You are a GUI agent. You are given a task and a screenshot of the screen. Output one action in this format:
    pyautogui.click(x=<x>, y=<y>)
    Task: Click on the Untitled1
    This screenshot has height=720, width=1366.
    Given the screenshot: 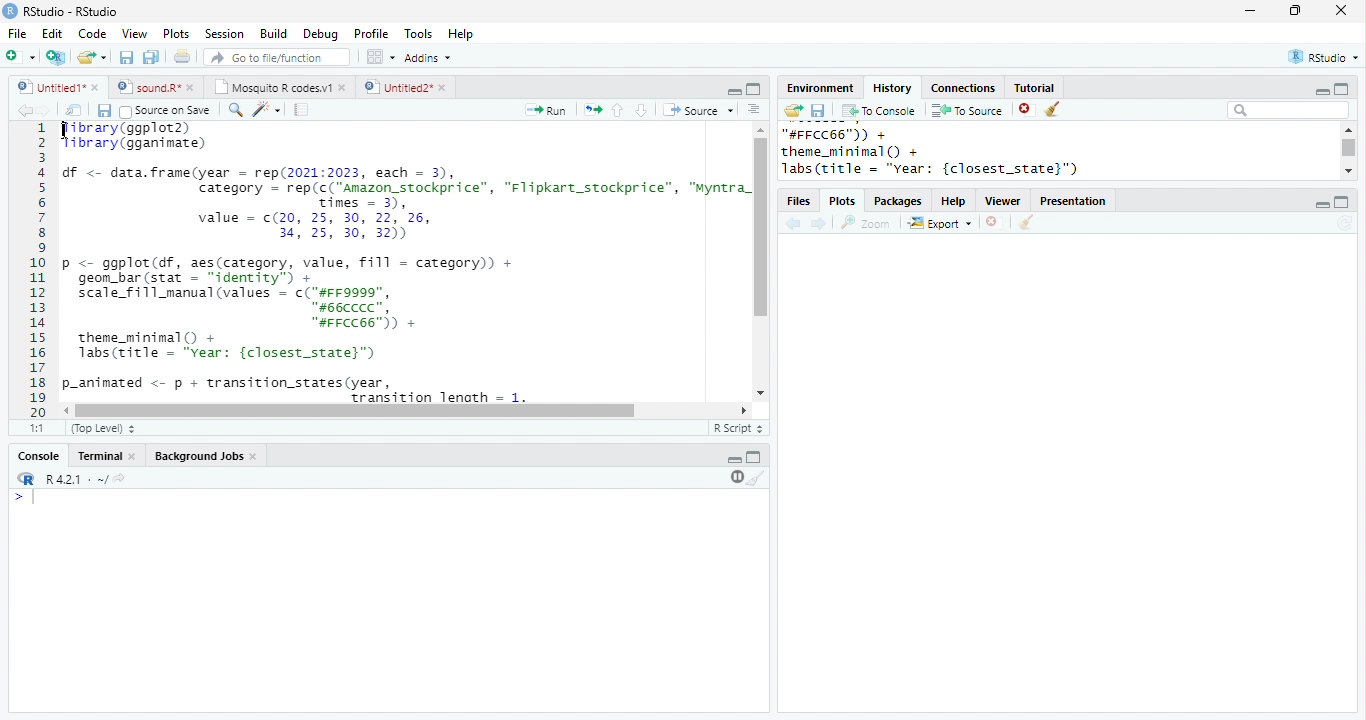 What is the action you would take?
    pyautogui.click(x=47, y=86)
    